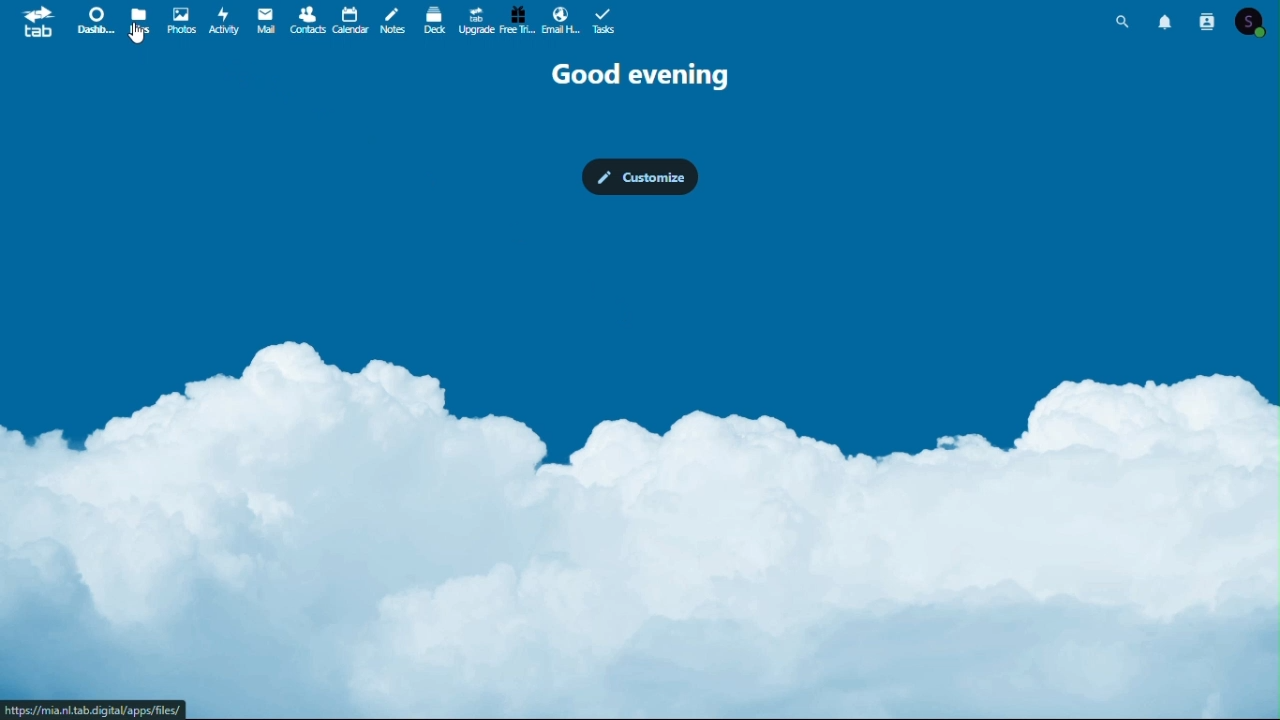 The image size is (1280, 720). Describe the element at coordinates (1123, 19) in the screenshot. I see `search` at that location.